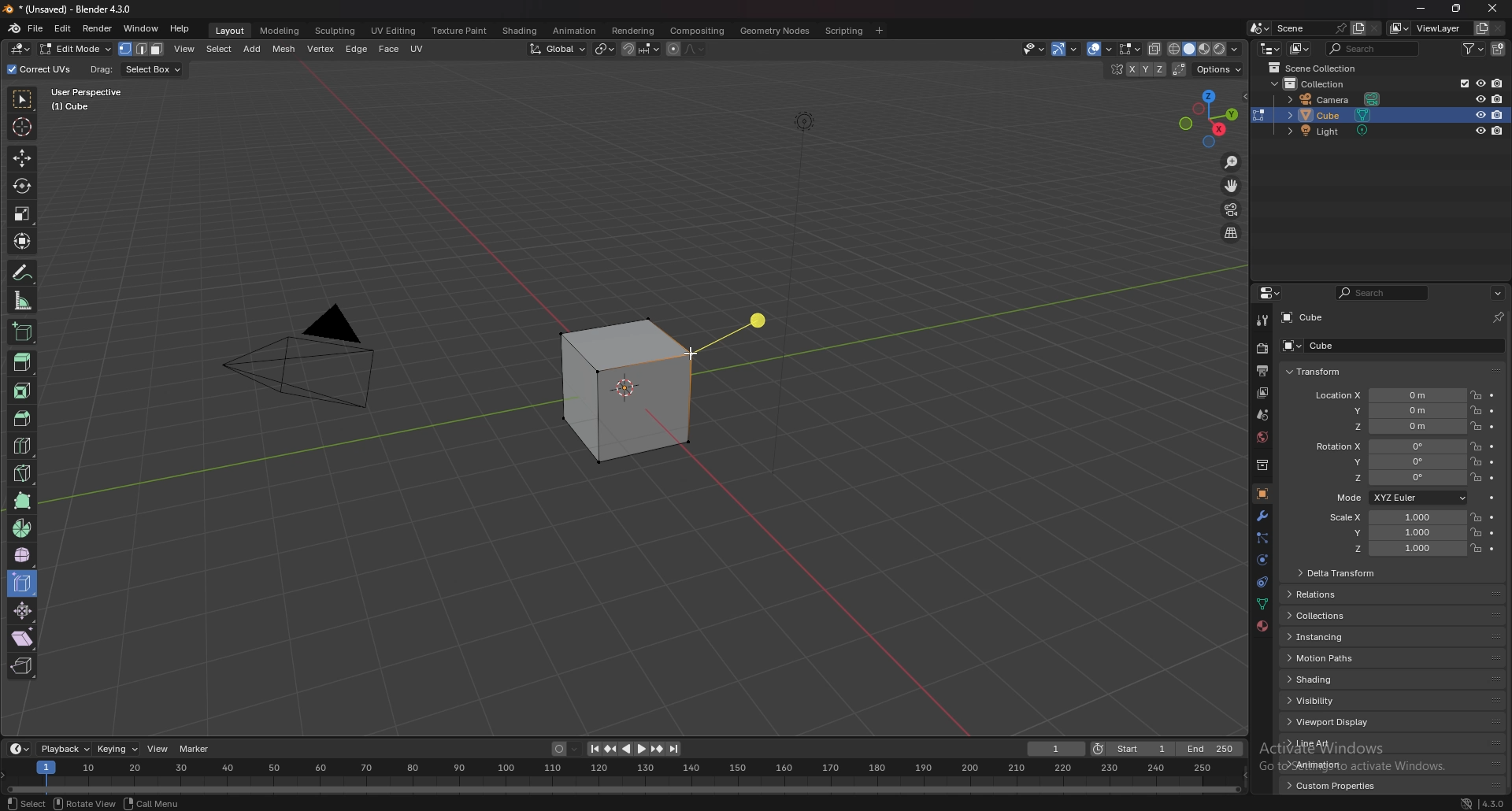  Describe the element at coordinates (24, 361) in the screenshot. I see `extrude region` at that location.